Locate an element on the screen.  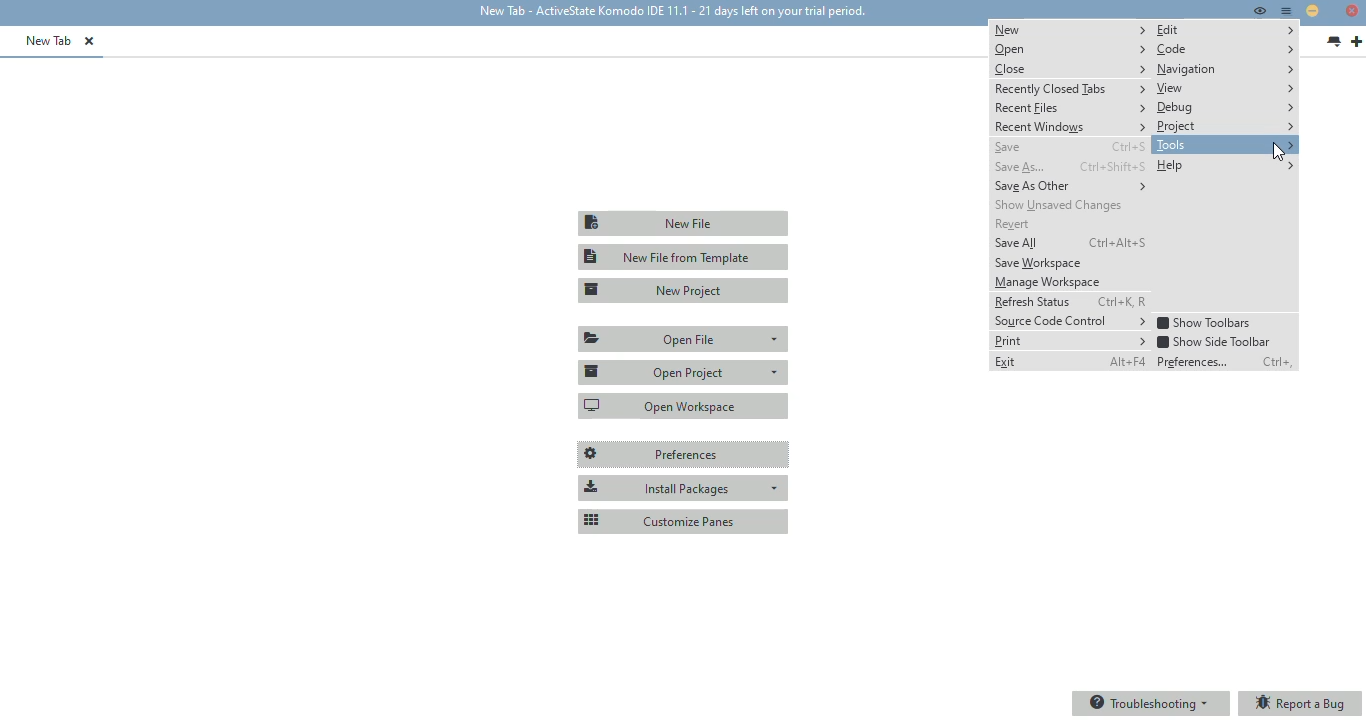
toggle focus mode is located at coordinates (1259, 10).